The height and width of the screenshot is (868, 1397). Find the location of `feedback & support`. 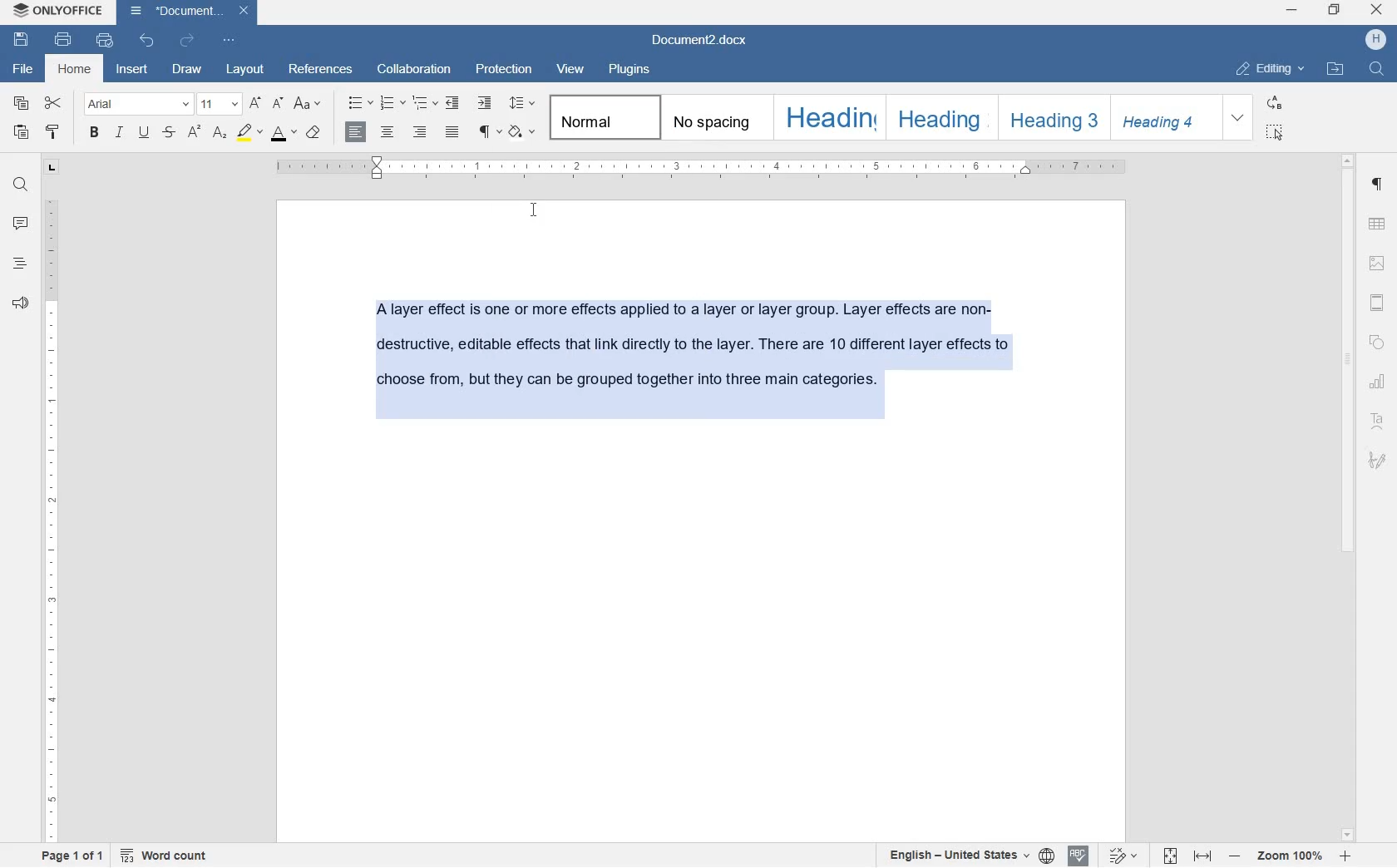

feedback & support is located at coordinates (19, 303).